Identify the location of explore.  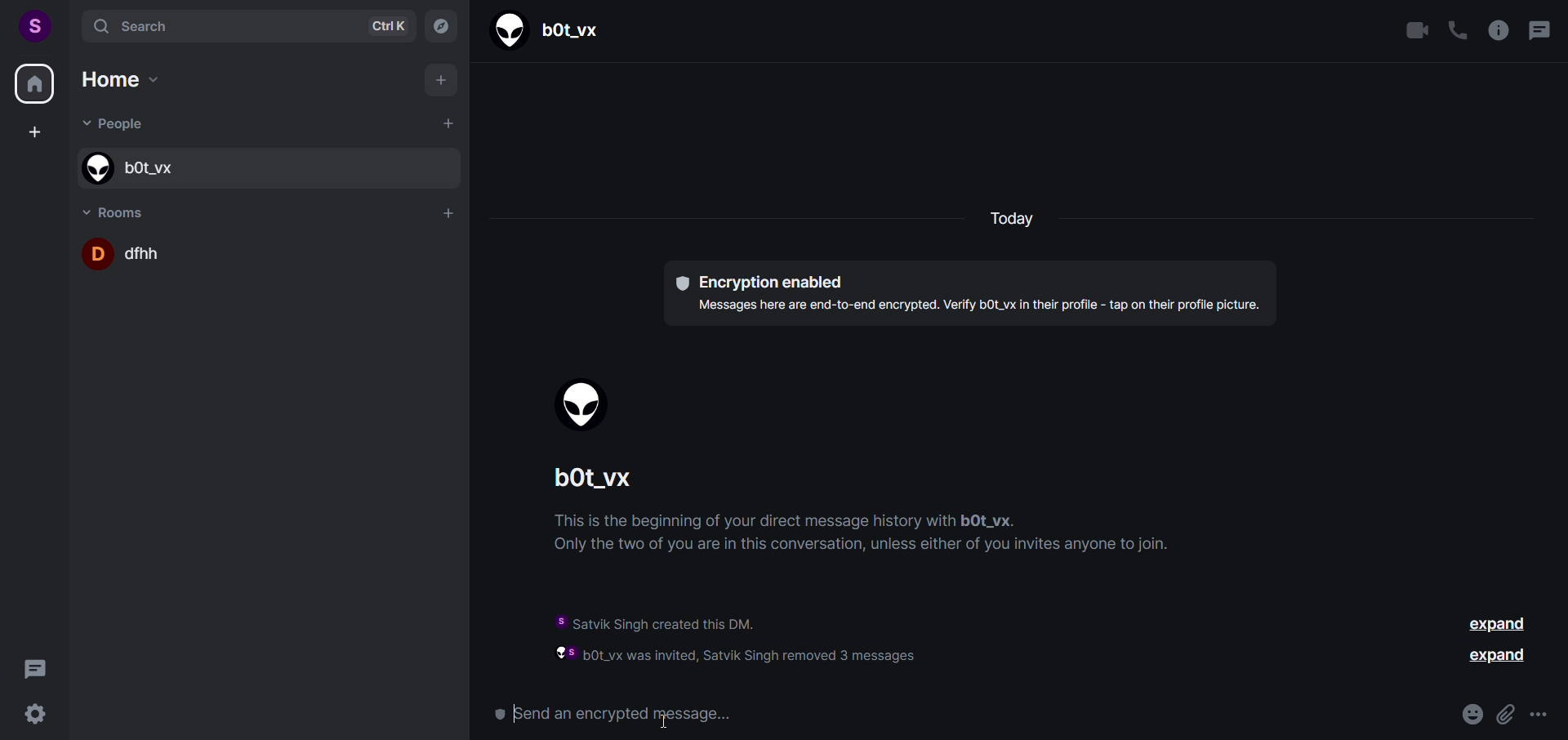
(440, 25).